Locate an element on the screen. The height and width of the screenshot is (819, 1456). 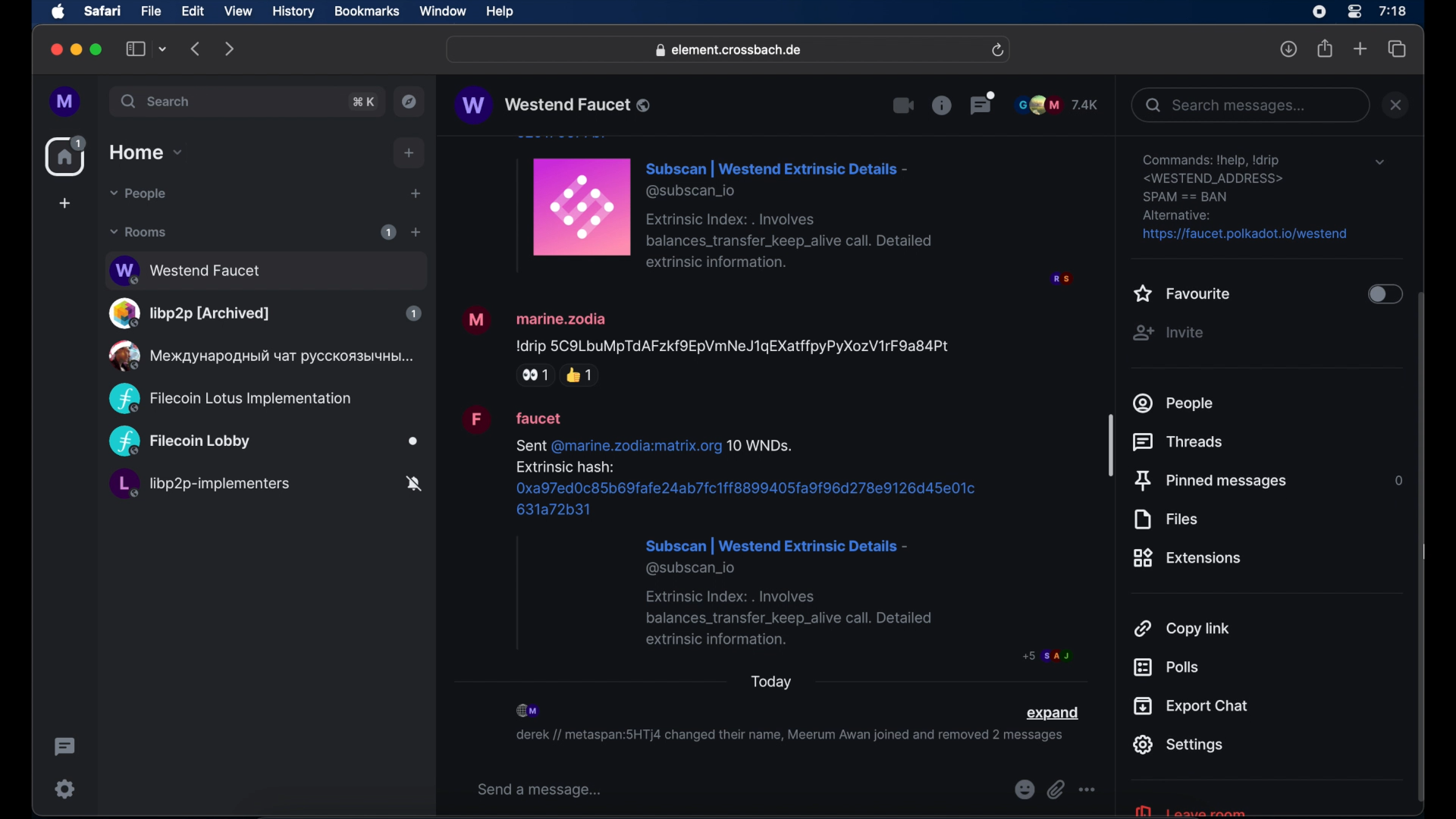
settings is located at coordinates (66, 789).